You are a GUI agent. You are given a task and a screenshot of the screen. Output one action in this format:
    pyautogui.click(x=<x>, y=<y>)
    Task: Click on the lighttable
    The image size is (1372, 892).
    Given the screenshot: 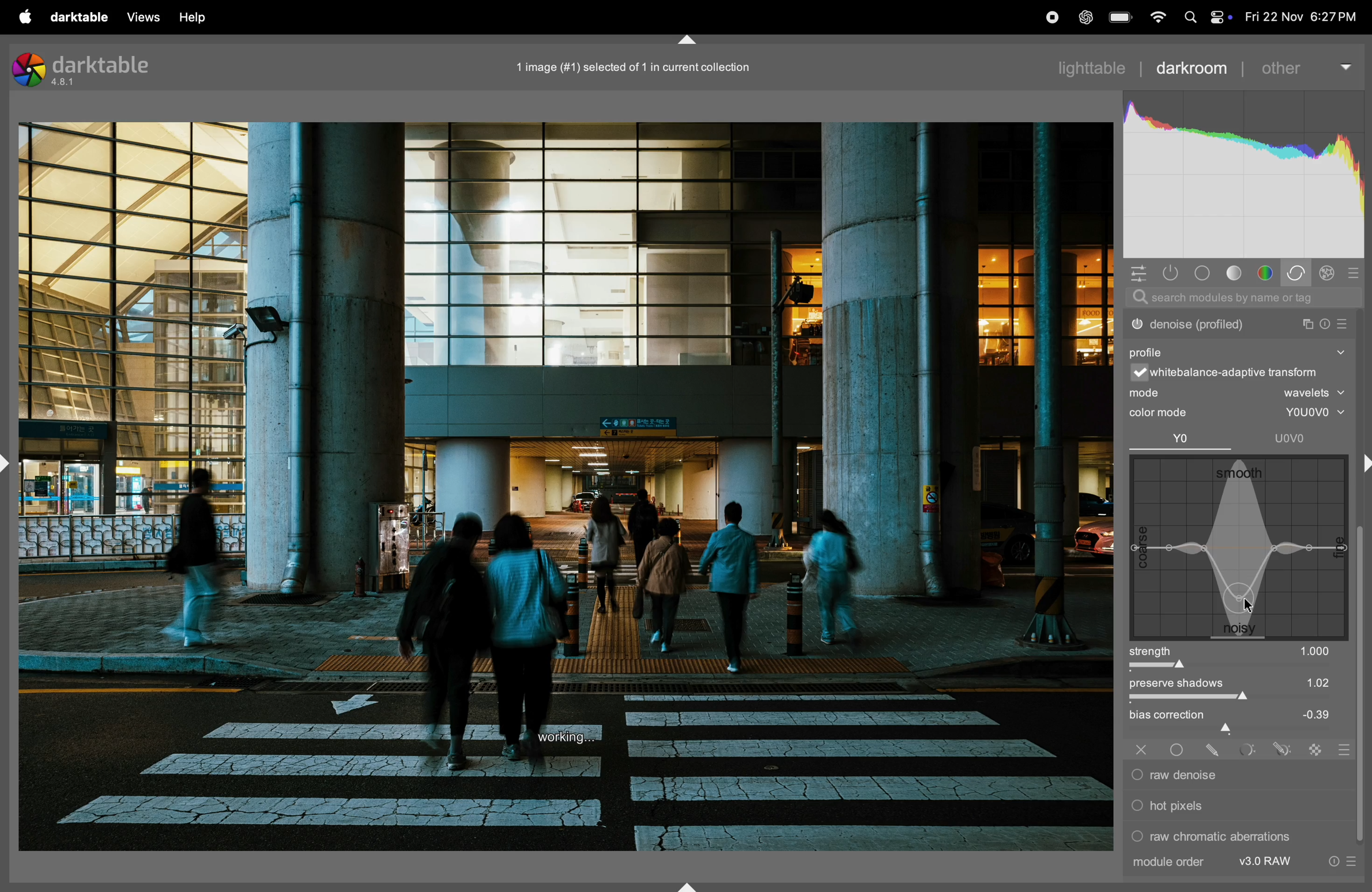 What is the action you would take?
    pyautogui.click(x=1090, y=68)
    